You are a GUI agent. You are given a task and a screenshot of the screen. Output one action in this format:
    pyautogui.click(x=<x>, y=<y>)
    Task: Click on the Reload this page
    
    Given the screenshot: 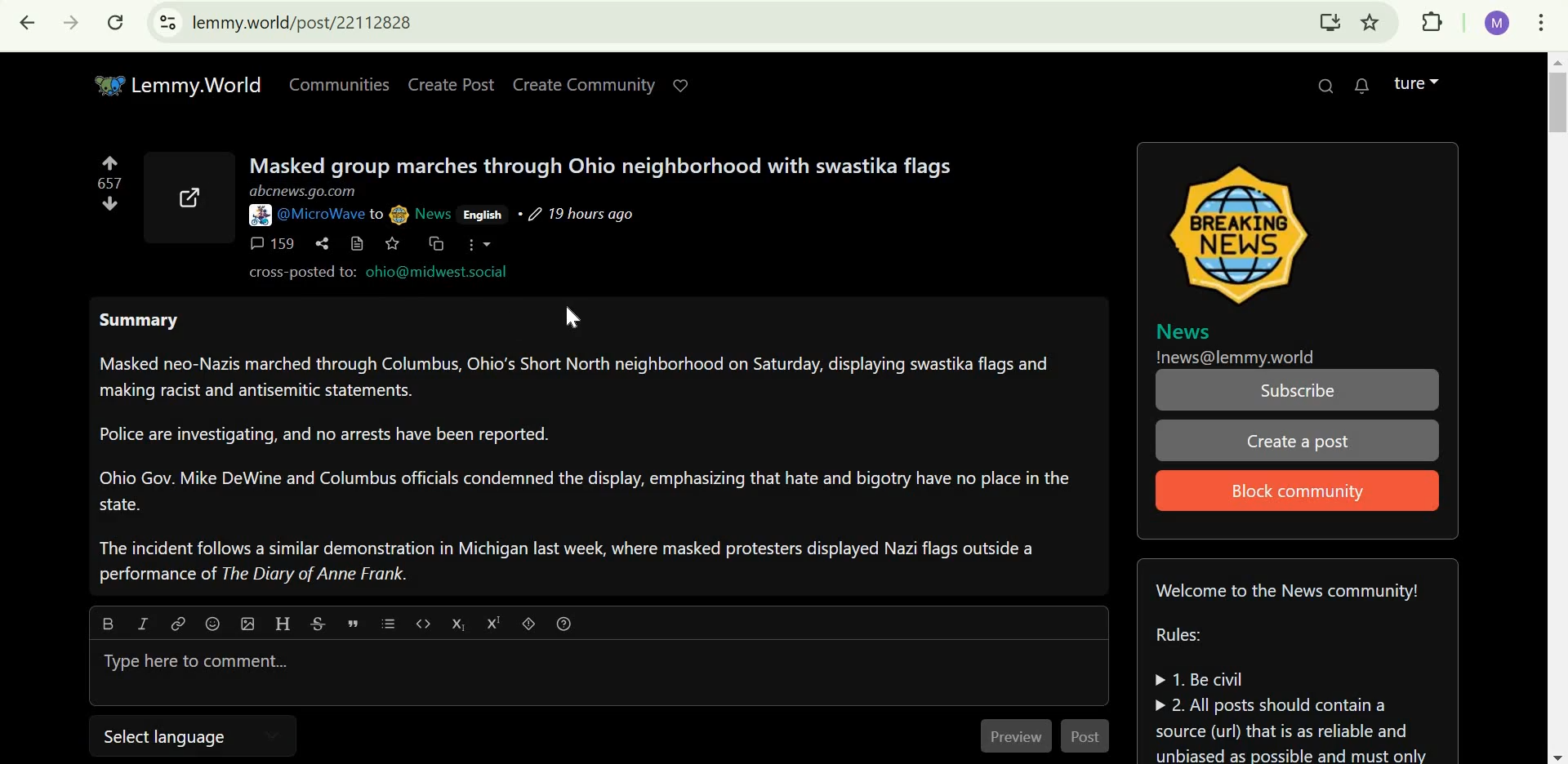 What is the action you would take?
    pyautogui.click(x=118, y=22)
    